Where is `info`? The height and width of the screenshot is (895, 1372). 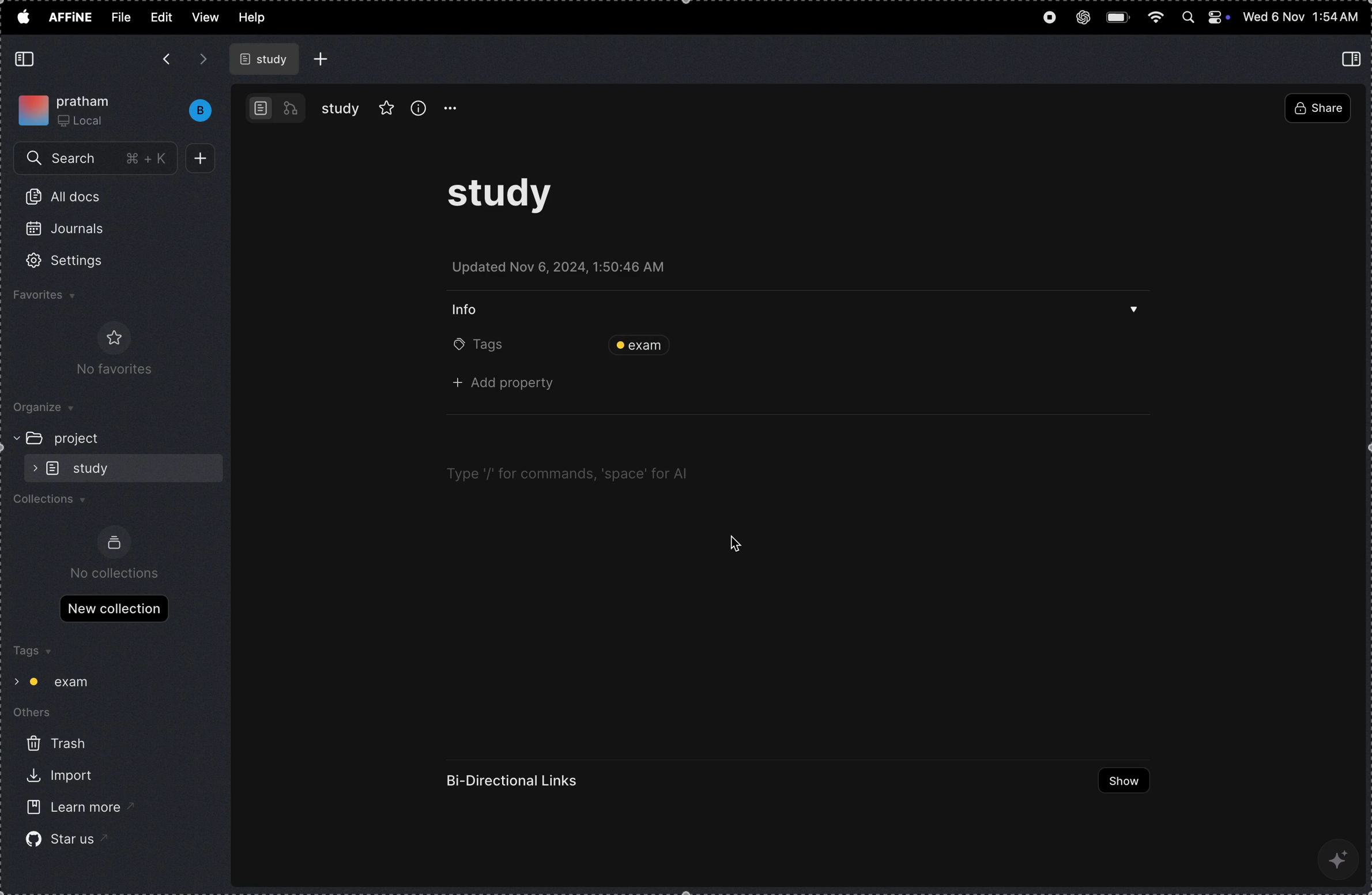
info is located at coordinates (419, 107).